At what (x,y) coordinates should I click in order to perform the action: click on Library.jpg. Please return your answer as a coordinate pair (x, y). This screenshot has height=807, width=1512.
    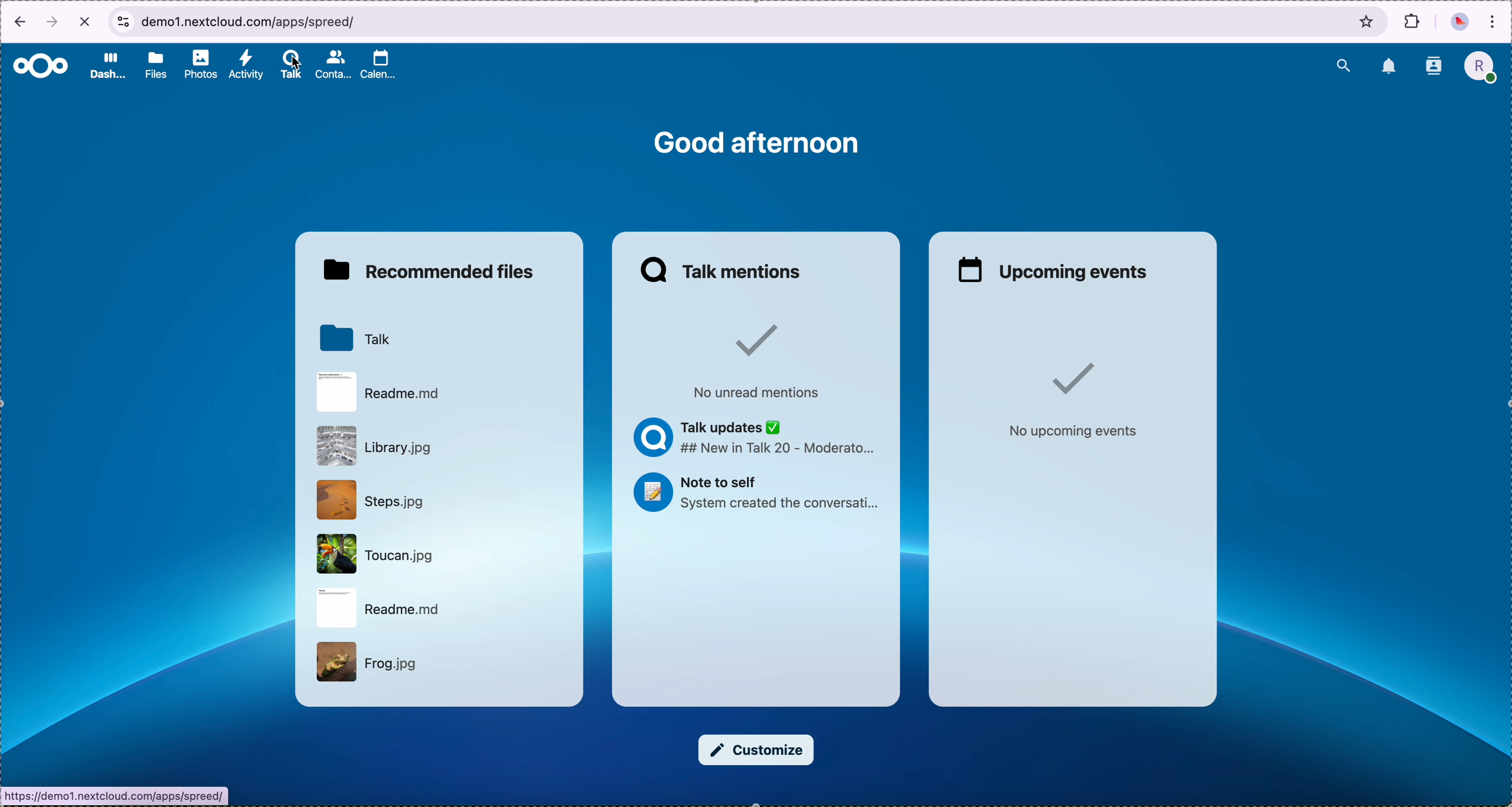
    Looking at the image, I should click on (437, 446).